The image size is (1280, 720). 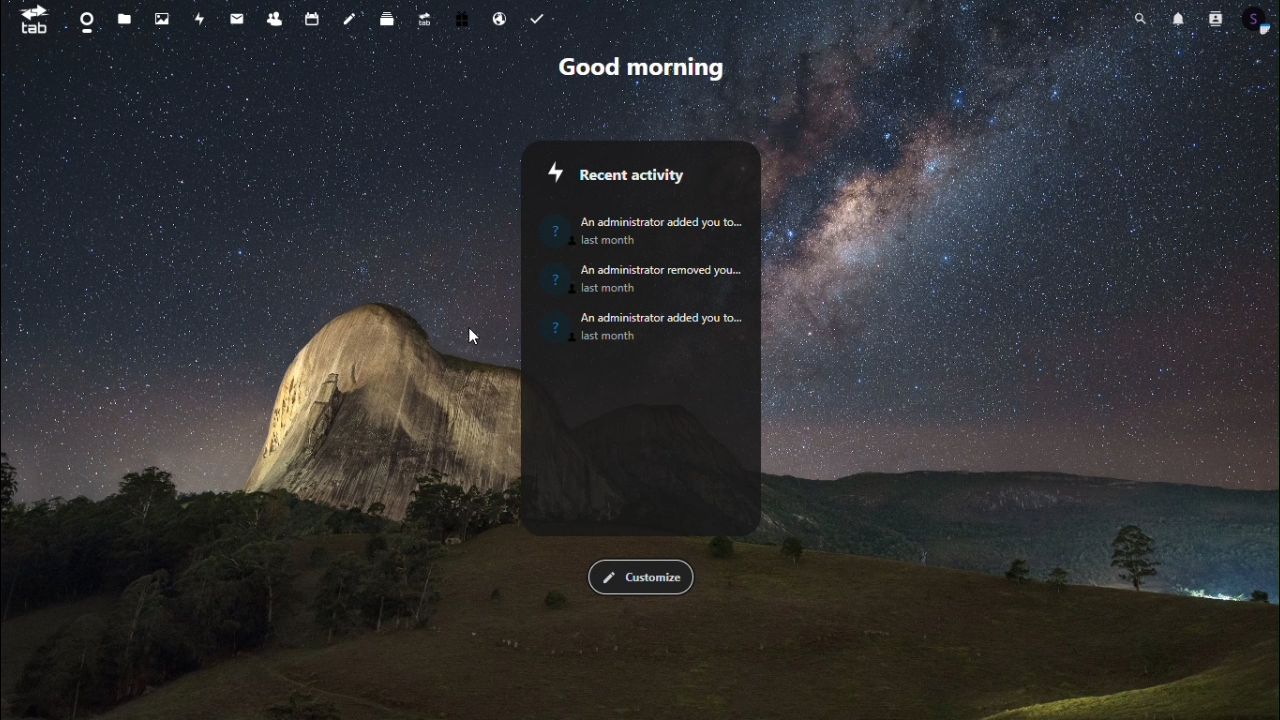 What do you see at coordinates (662, 271) in the screenshot?
I see `An administrator removed you...` at bounding box center [662, 271].